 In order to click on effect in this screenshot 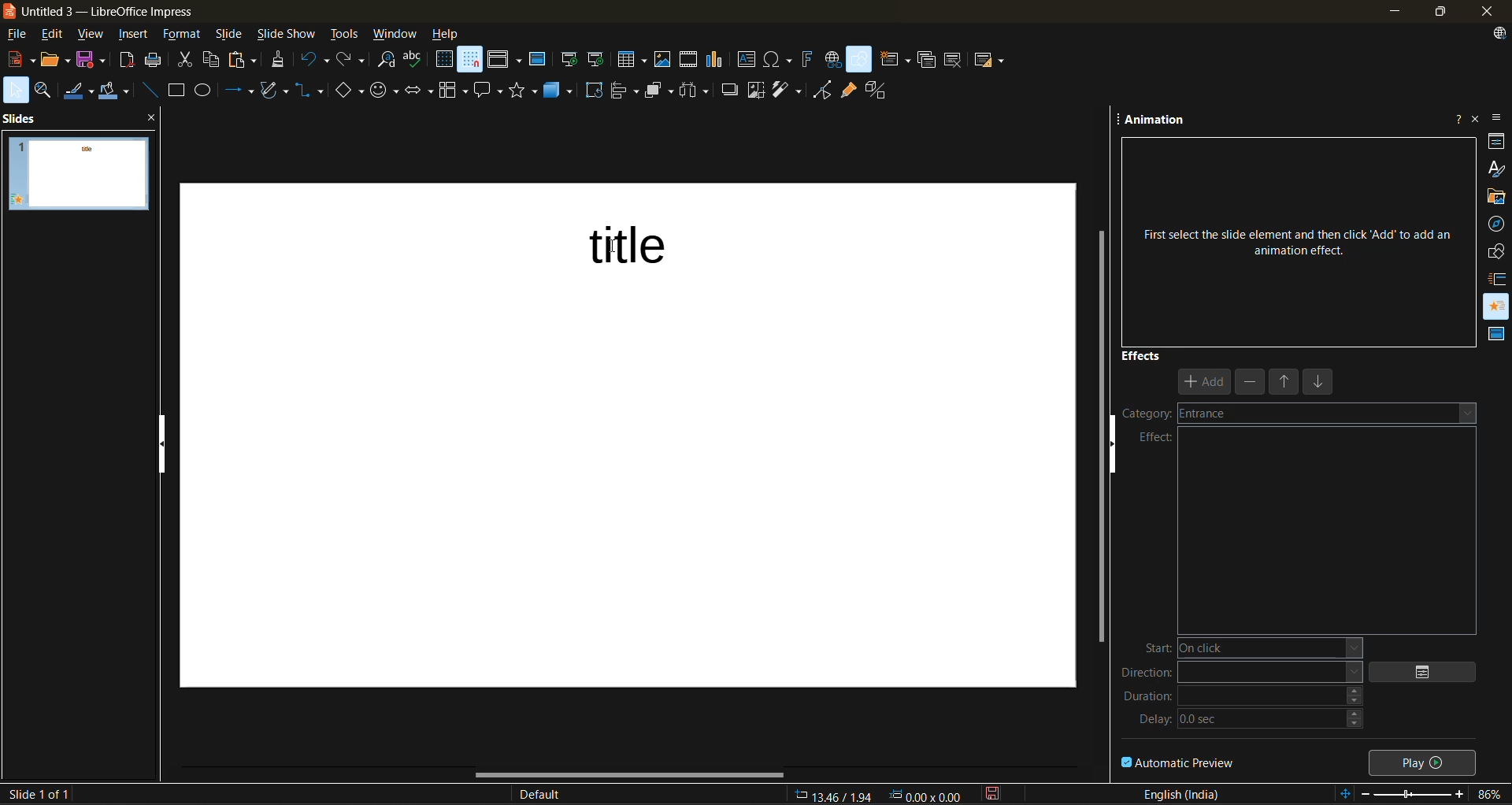, I will do `click(1156, 437)`.